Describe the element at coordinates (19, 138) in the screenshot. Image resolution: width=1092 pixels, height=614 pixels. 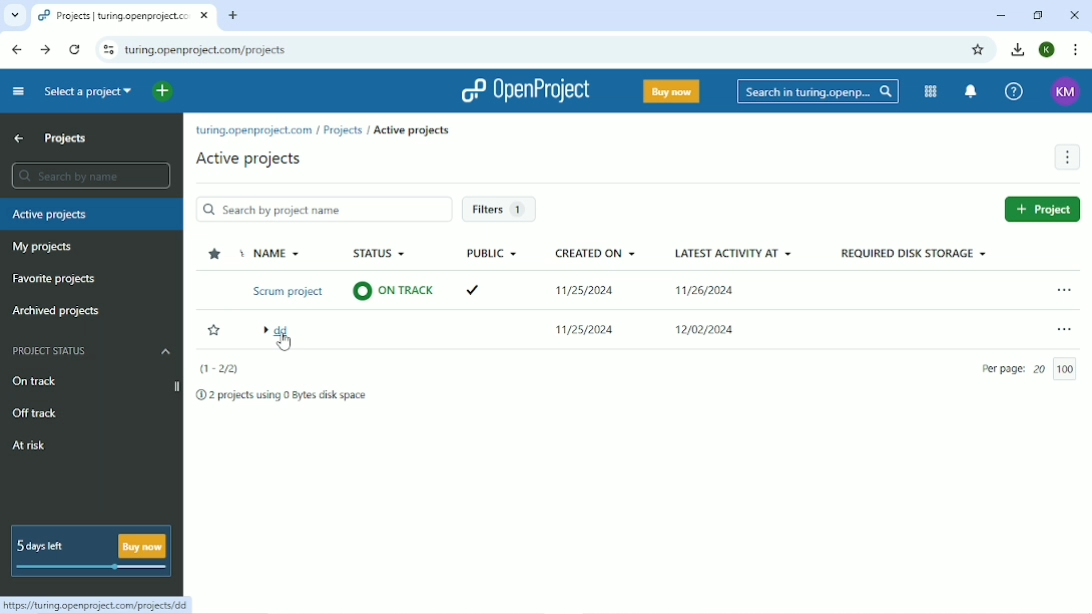
I see `Up` at that location.